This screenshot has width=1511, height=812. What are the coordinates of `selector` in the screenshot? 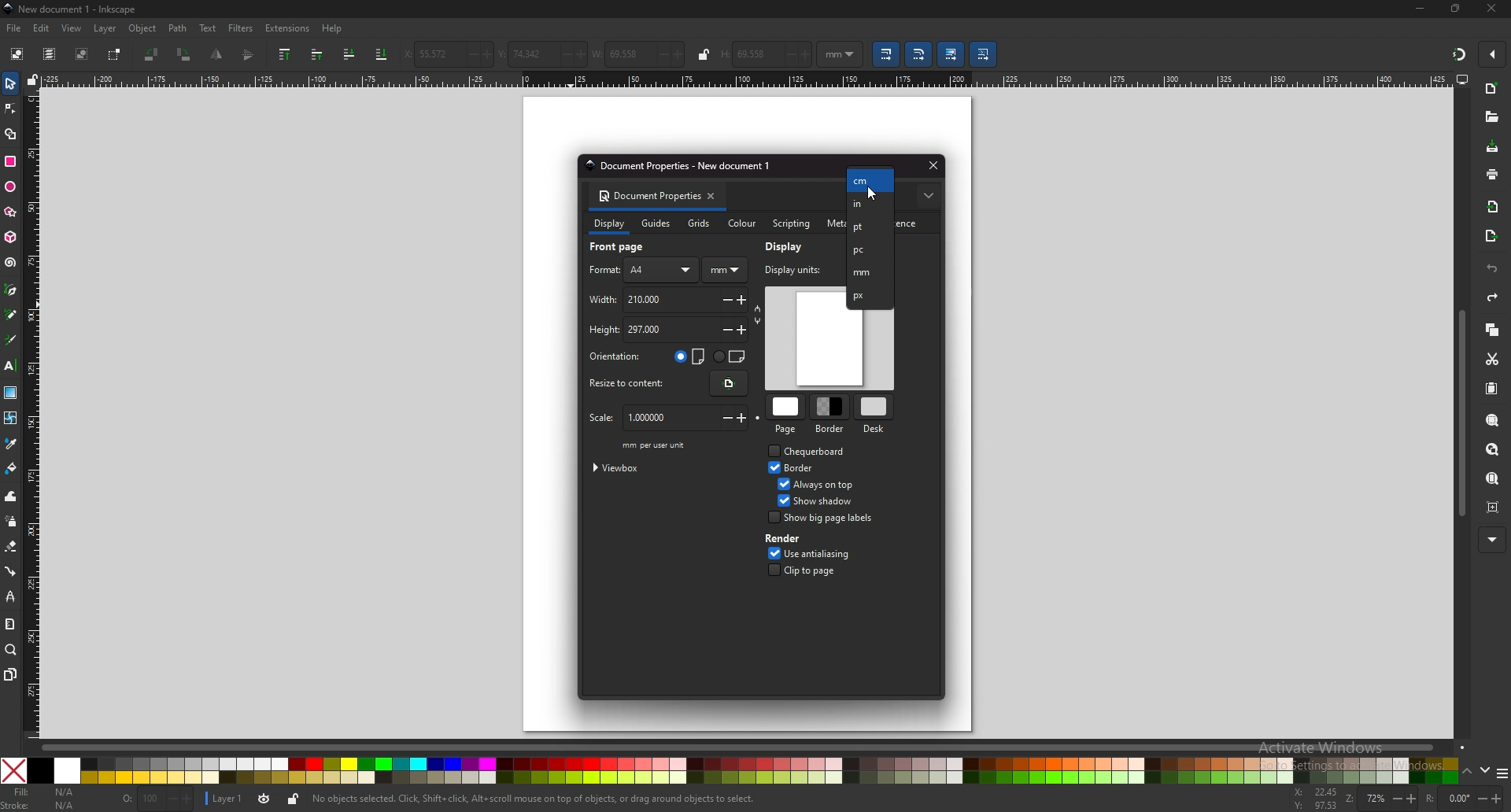 It's located at (10, 83).